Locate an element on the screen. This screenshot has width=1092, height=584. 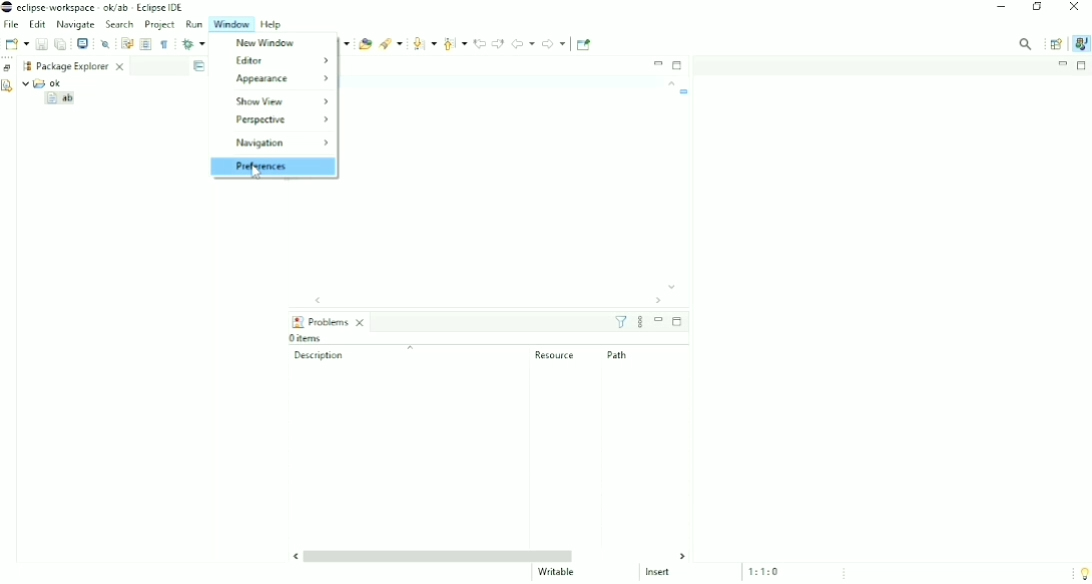
Previous Edit Location is located at coordinates (480, 42).